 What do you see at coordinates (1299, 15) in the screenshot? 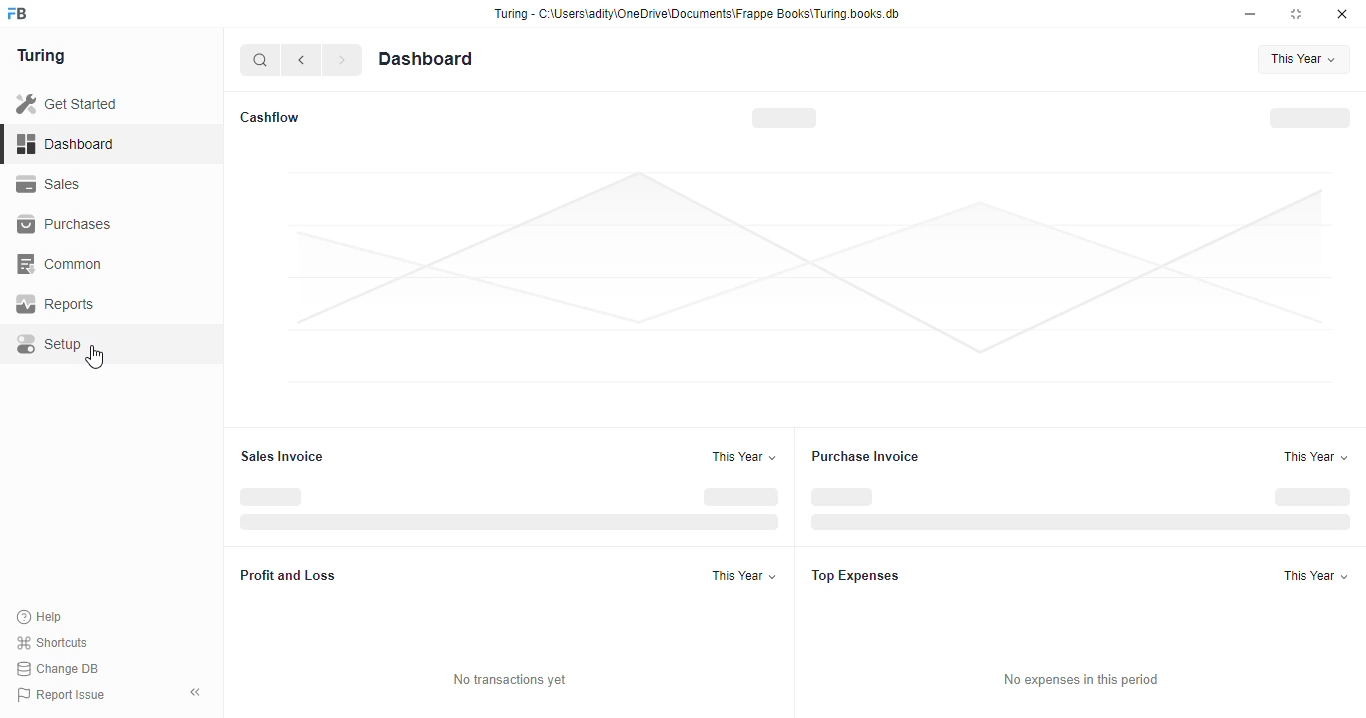
I see `maximise` at bounding box center [1299, 15].